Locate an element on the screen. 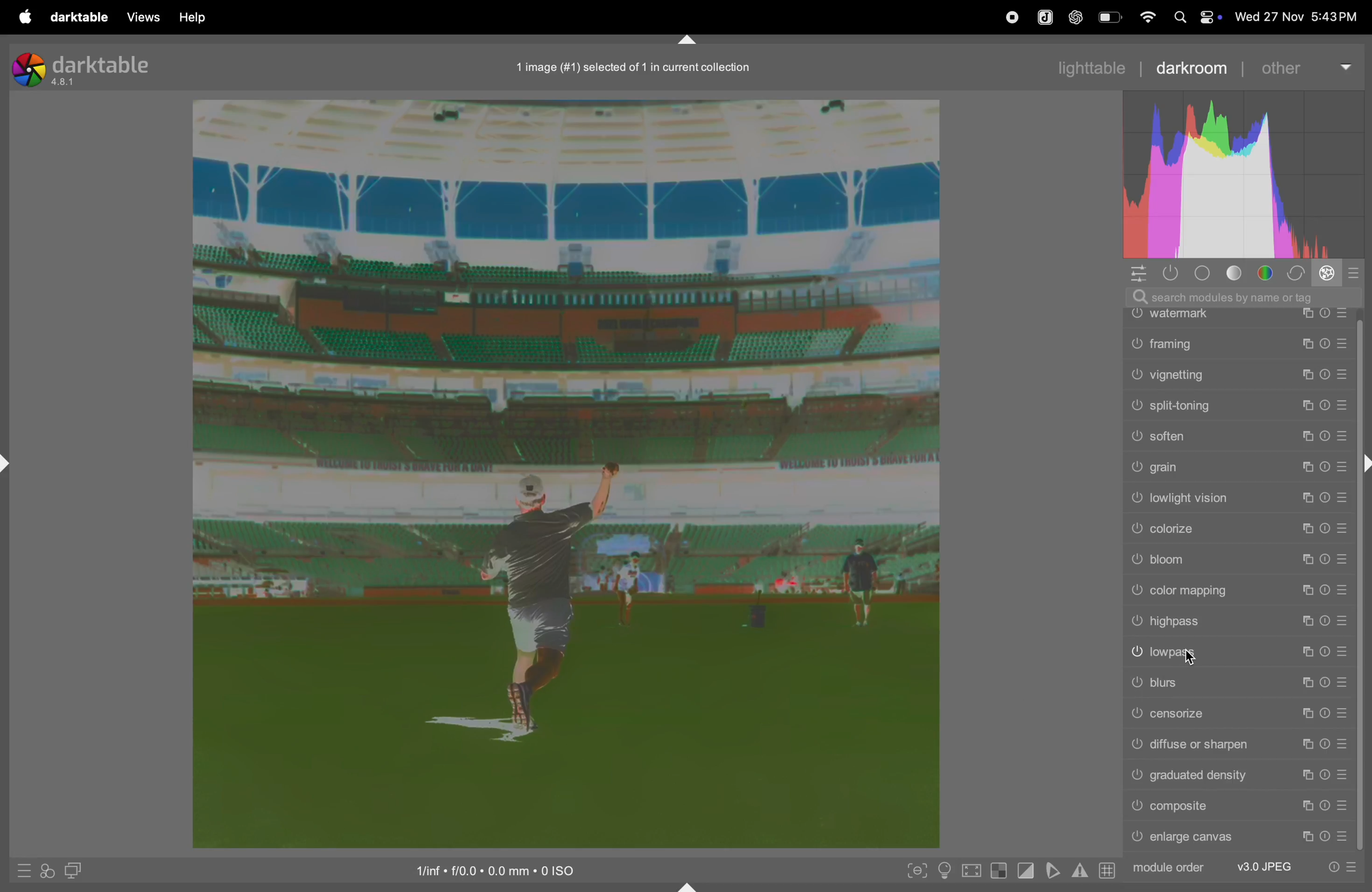 This screenshot has width=1372, height=892. colorize is located at coordinates (1238, 530).